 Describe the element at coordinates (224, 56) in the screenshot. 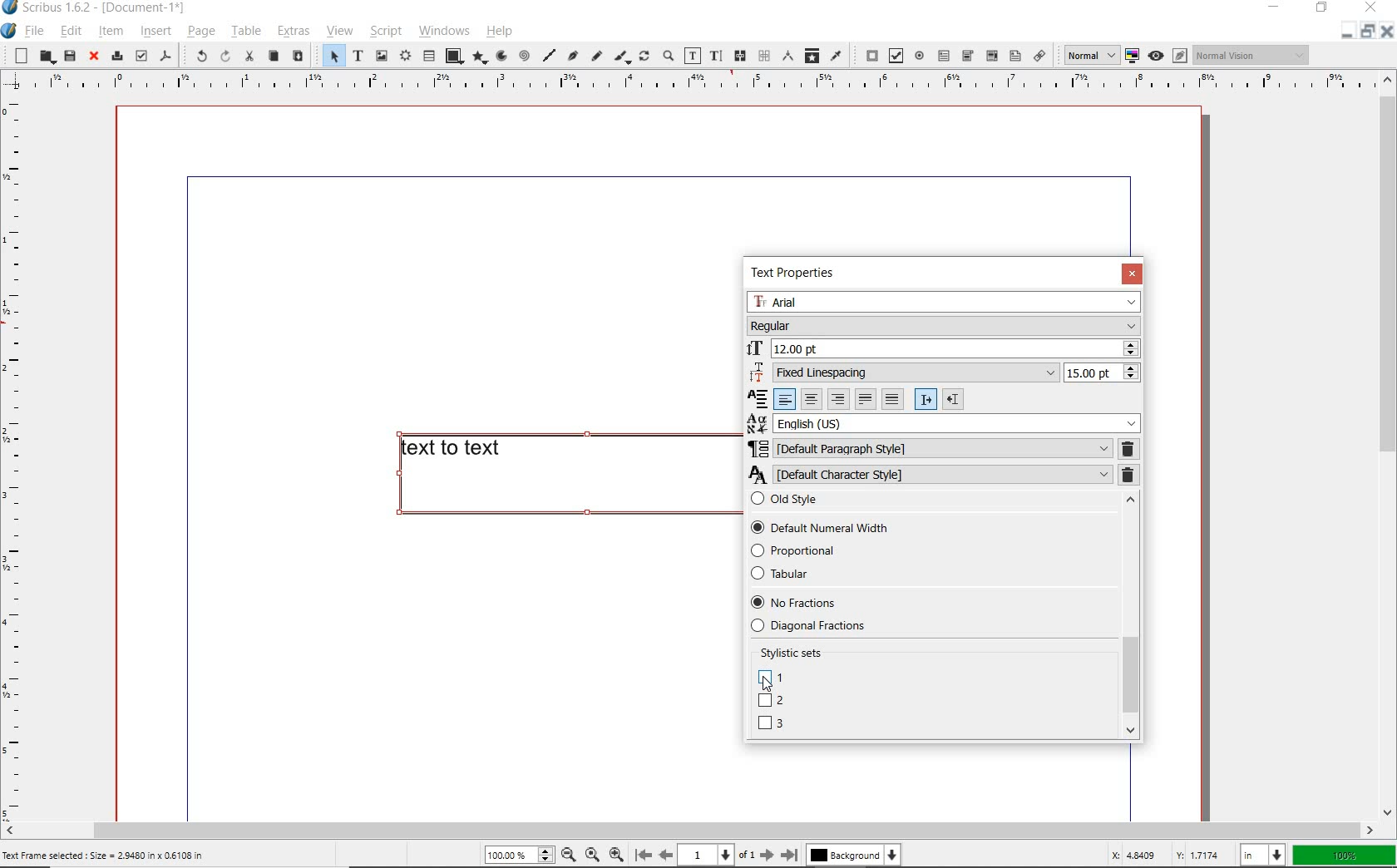

I see `redo` at that location.